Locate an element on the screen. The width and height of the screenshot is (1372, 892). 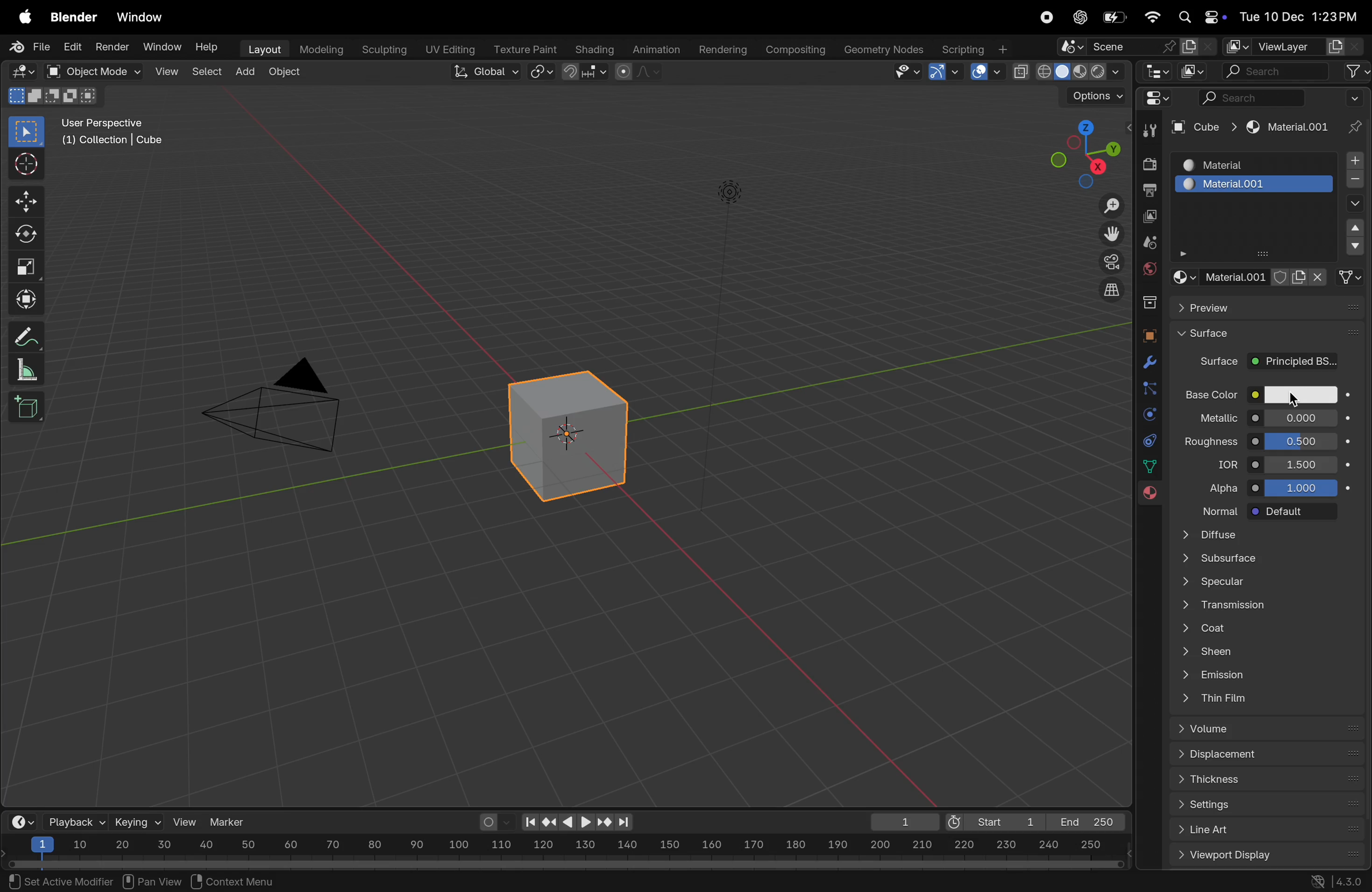
time is located at coordinates (20, 821).